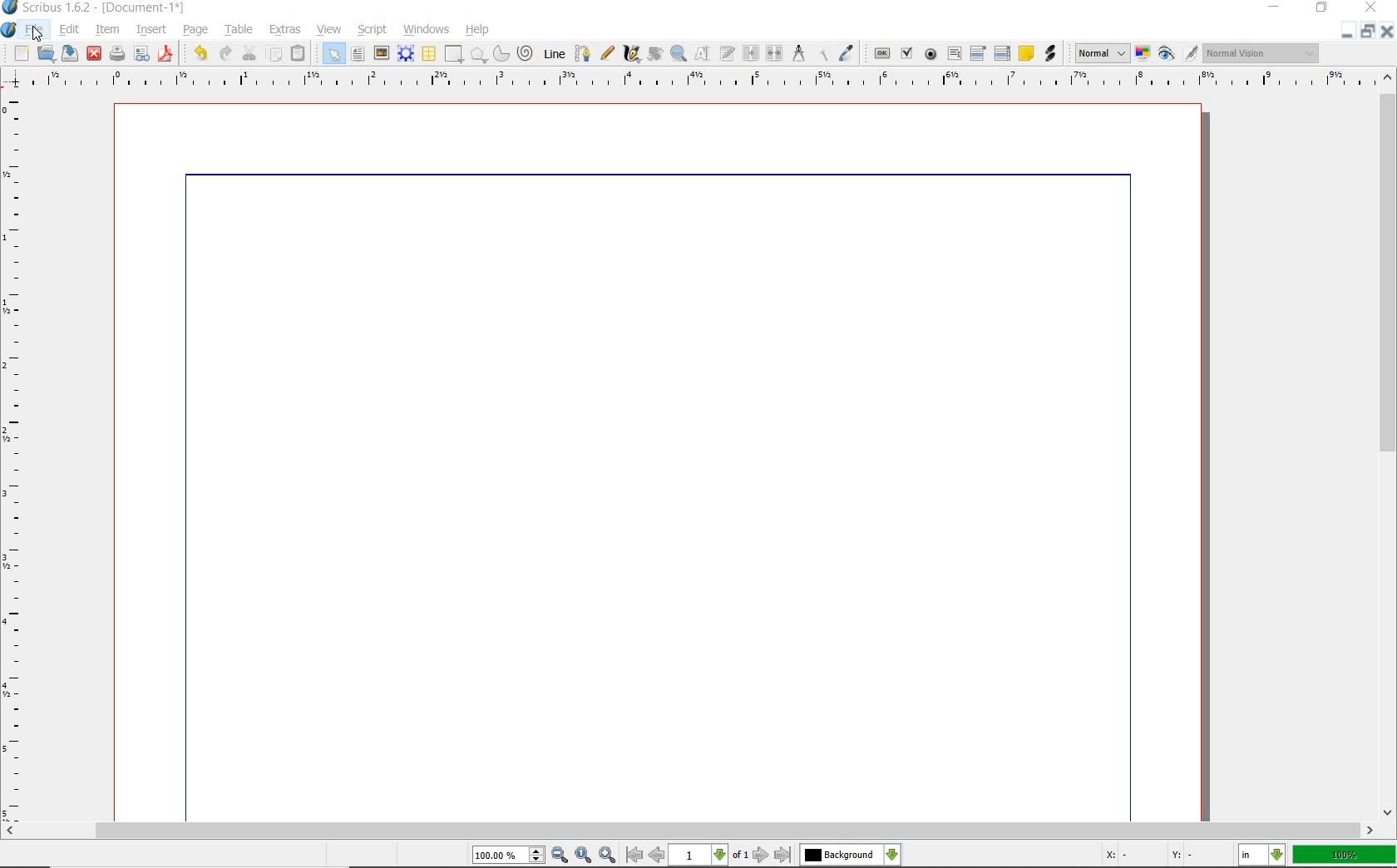  What do you see at coordinates (141, 55) in the screenshot?
I see `preflight verifier` at bounding box center [141, 55].